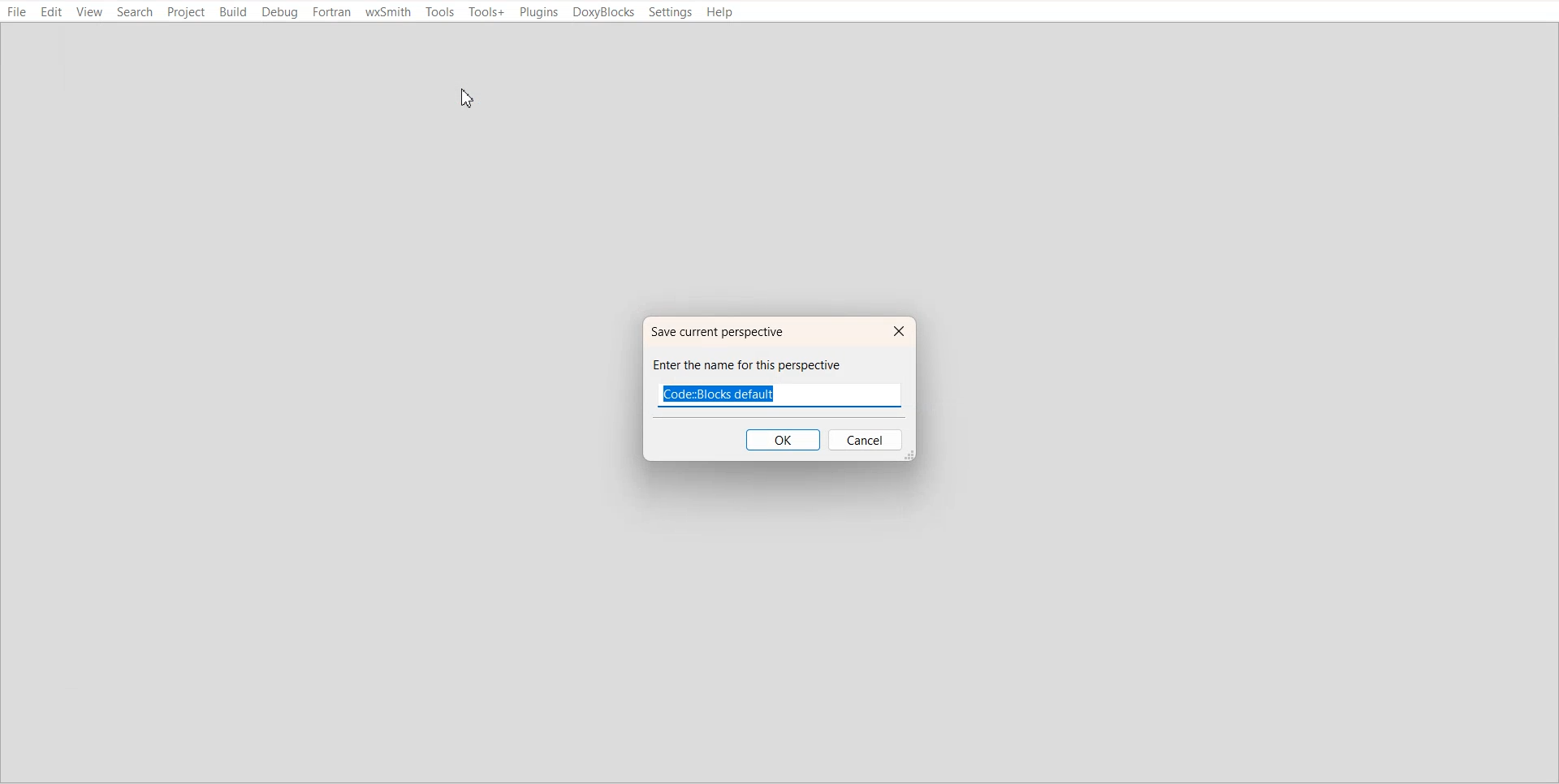 Image resolution: width=1559 pixels, height=784 pixels. What do you see at coordinates (465, 99) in the screenshot?
I see `Cursor` at bounding box center [465, 99].